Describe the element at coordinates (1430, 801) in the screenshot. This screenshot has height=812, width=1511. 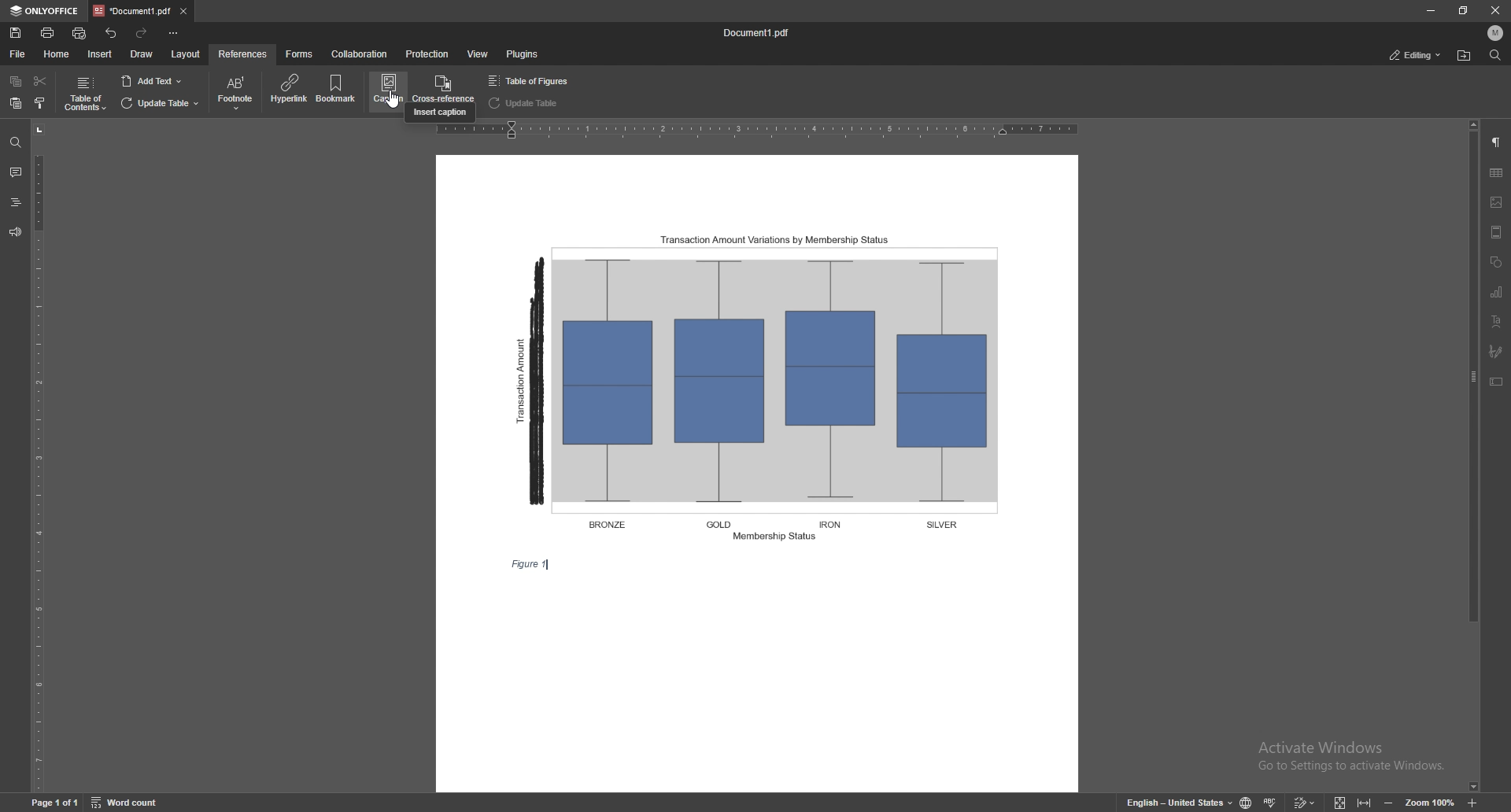
I see `zoom` at that location.